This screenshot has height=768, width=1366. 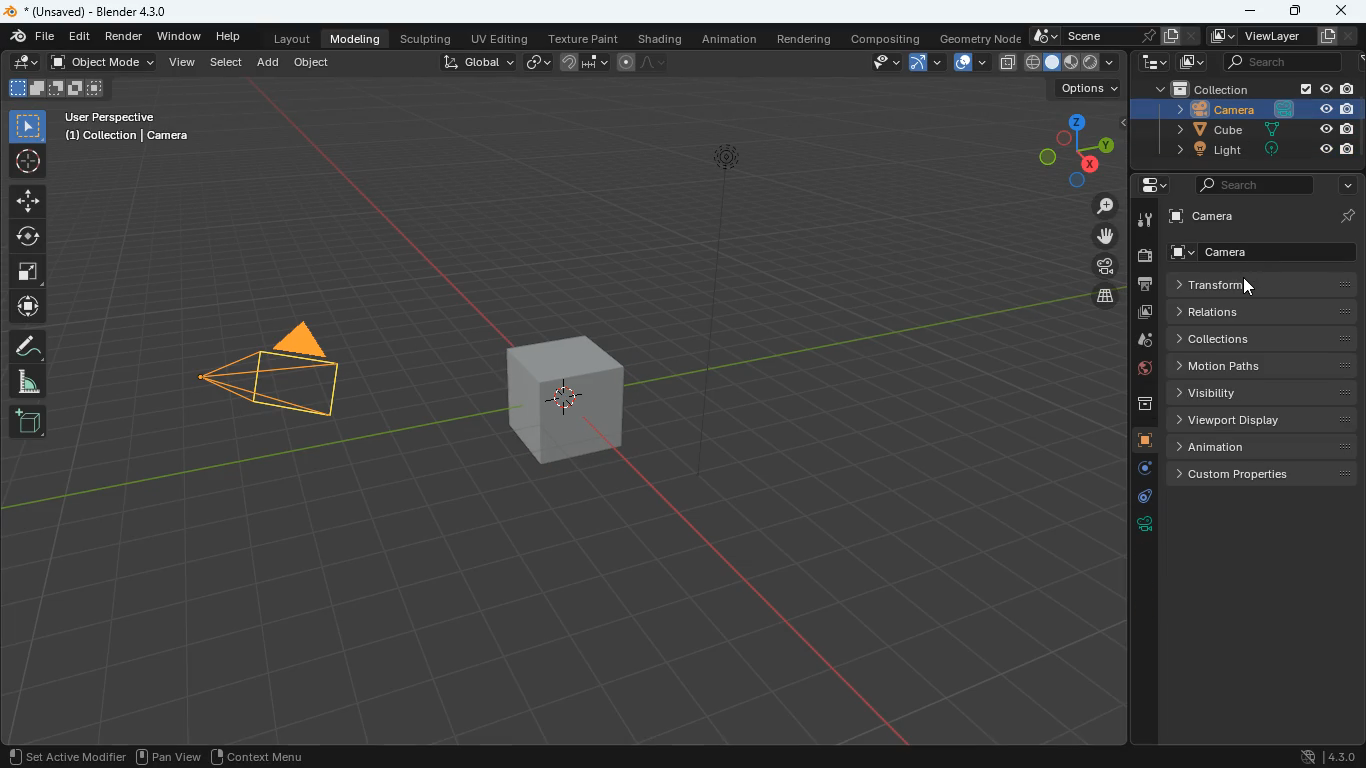 I want to click on select, so click(x=27, y=126).